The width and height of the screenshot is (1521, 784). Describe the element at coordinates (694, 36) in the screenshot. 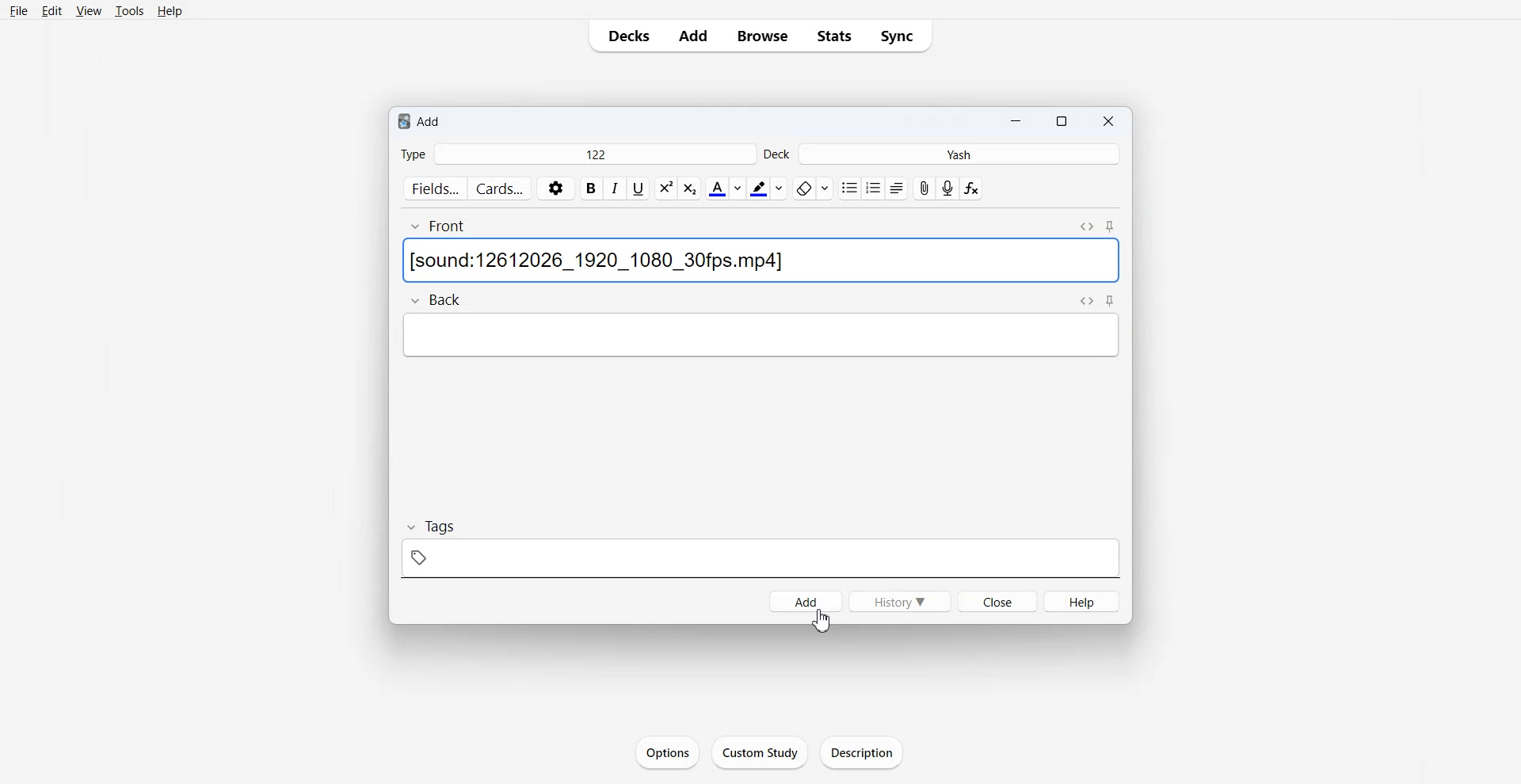

I see `Add` at that location.